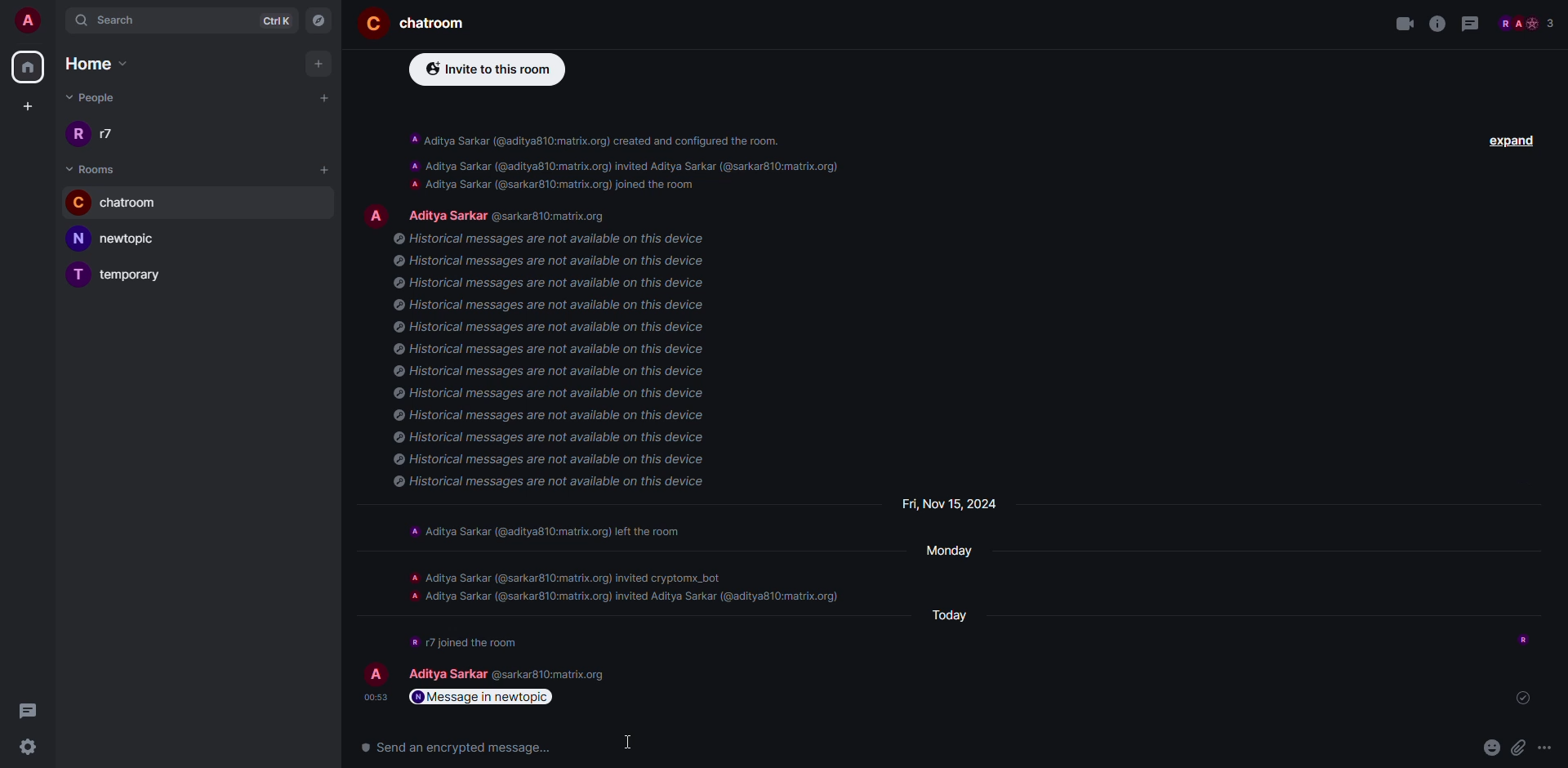 The image size is (1568, 768). I want to click on settings, so click(29, 747).